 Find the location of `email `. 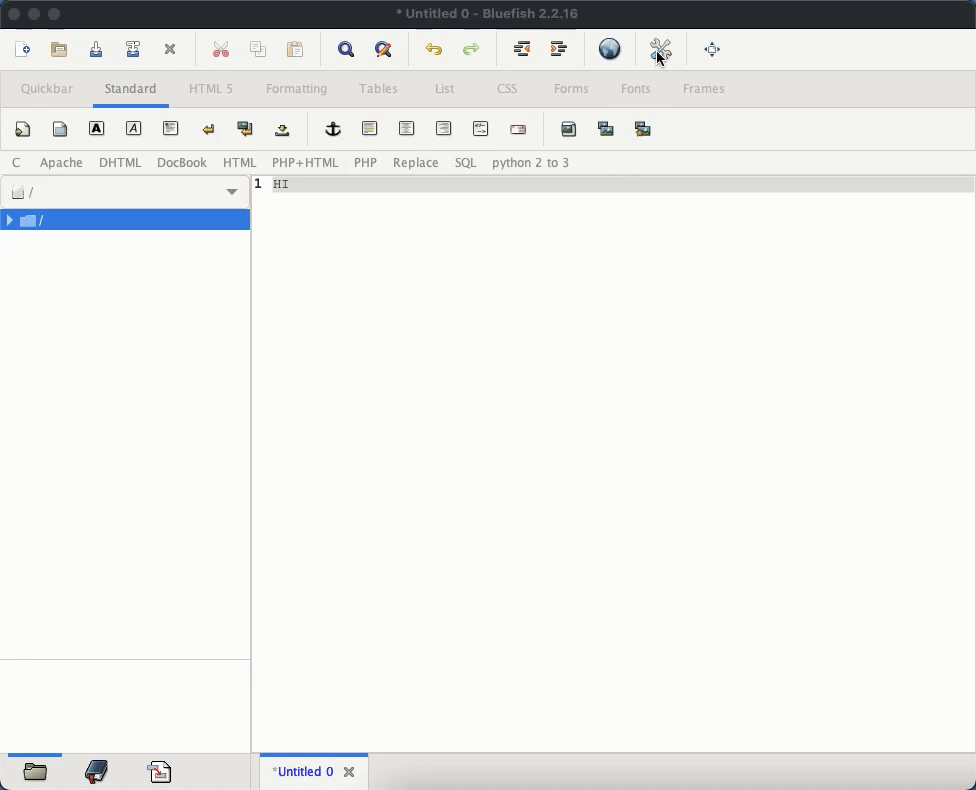

email  is located at coordinates (520, 130).